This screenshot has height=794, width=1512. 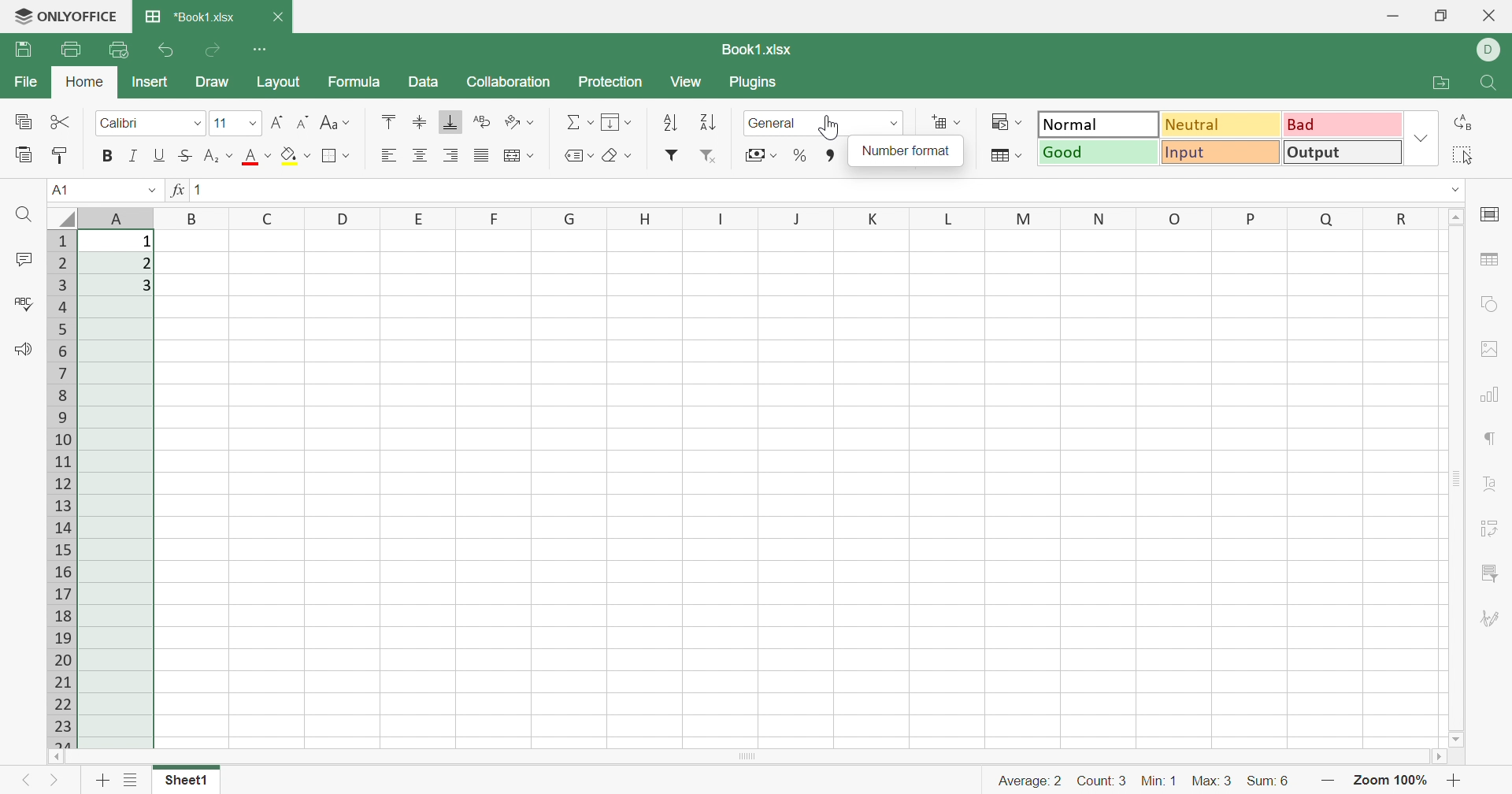 What do you see at coordinates (23, 48) in the screenshot?
I see `Save` at bounding box center [23, 48].